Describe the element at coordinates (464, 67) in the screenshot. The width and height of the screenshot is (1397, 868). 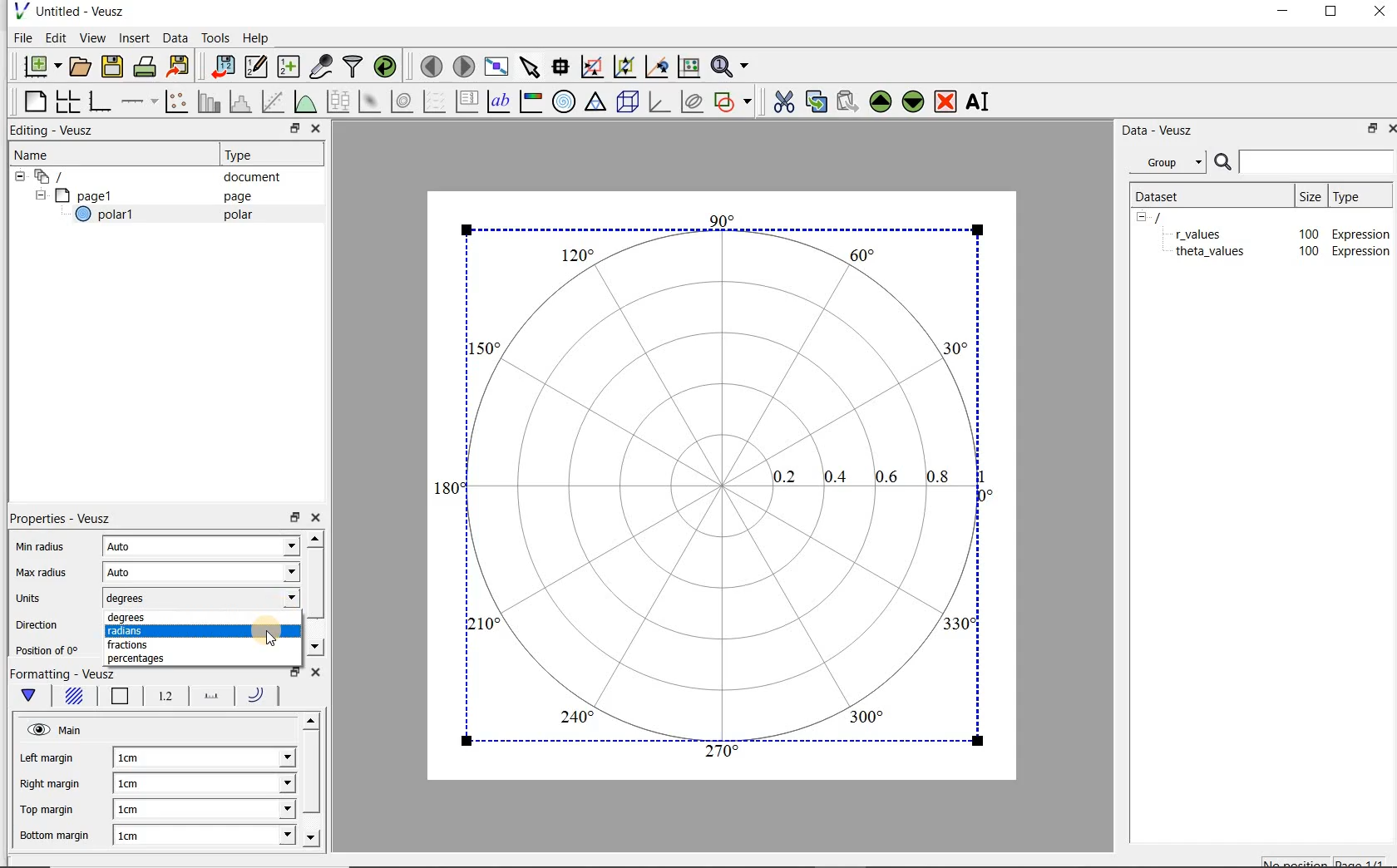
I see `move to the next page` at that location.